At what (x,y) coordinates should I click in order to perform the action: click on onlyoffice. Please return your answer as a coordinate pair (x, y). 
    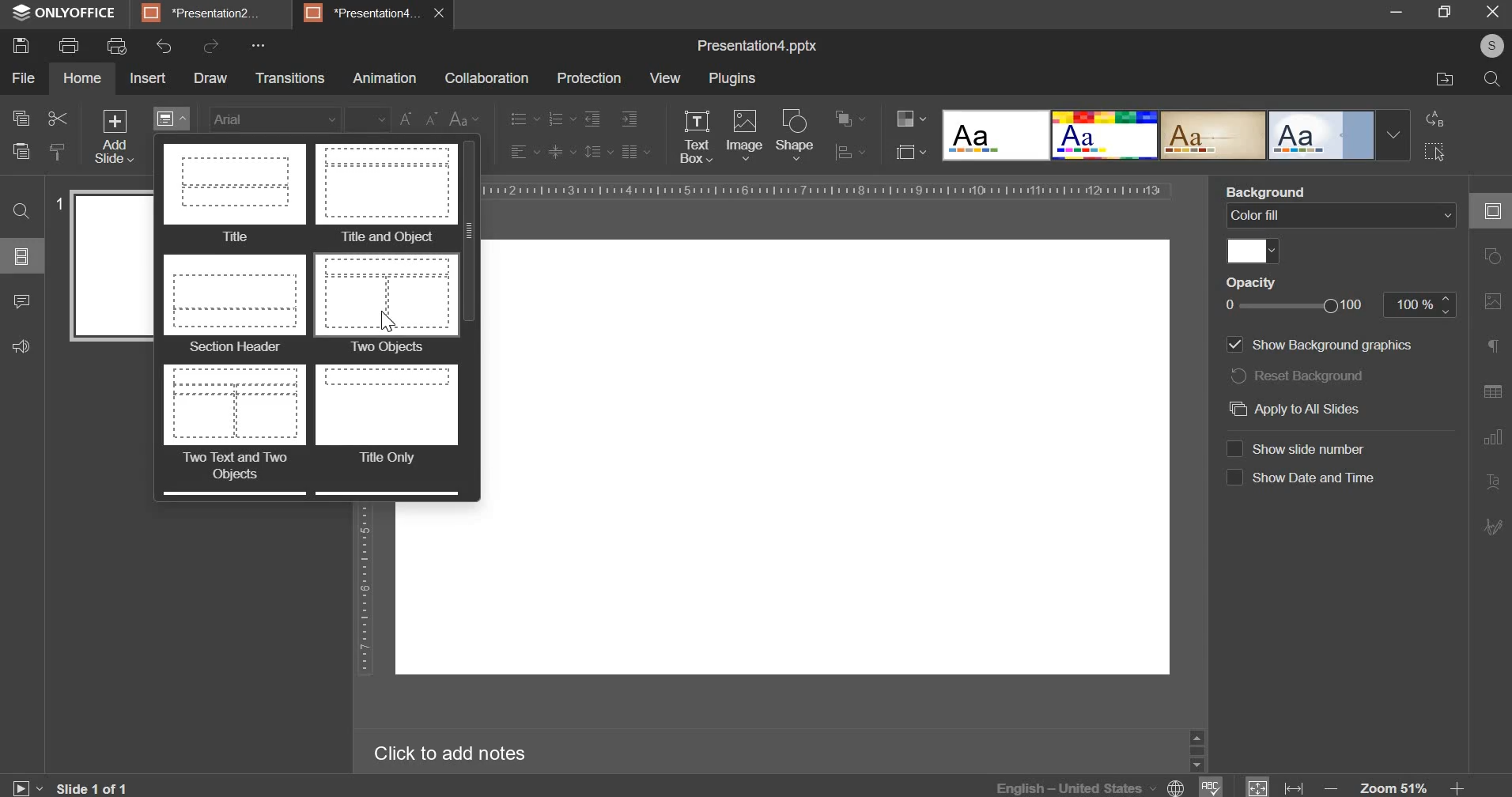
    Looking at the image, I should click on (65, 13).